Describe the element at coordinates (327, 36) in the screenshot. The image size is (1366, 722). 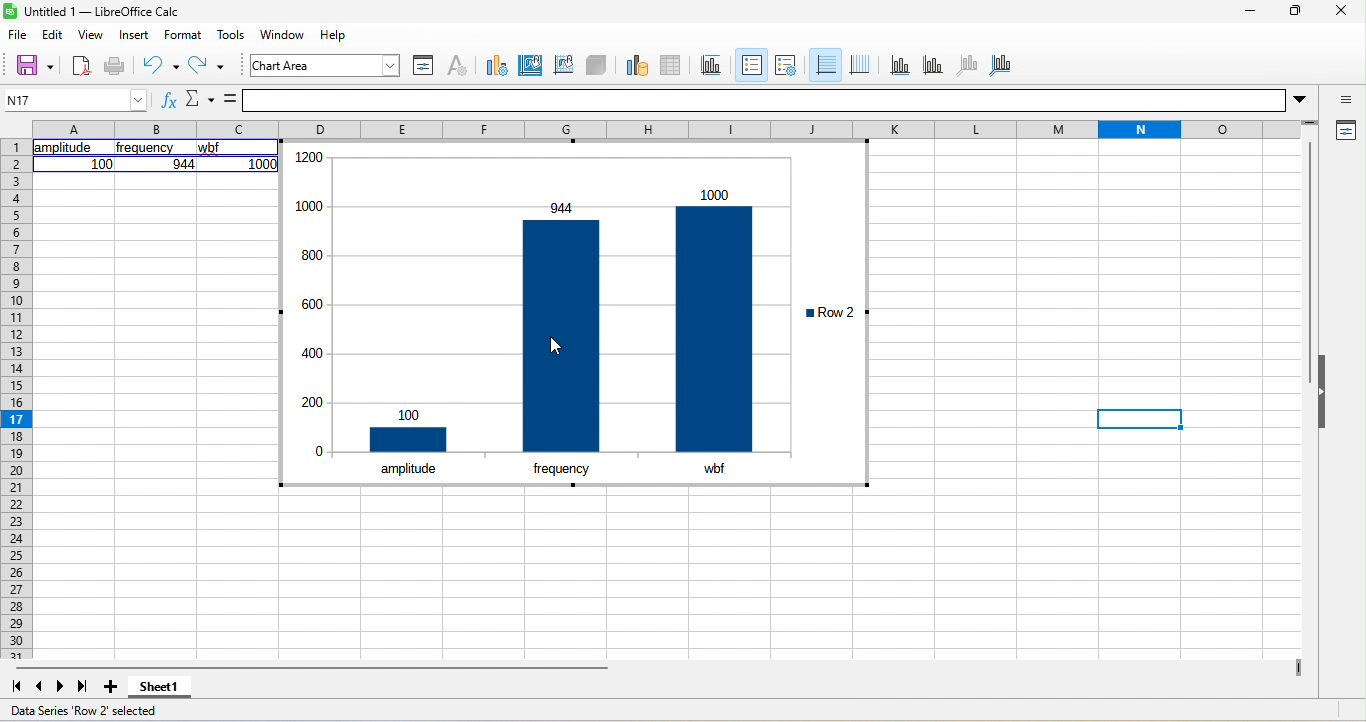
I see `help` at that location.